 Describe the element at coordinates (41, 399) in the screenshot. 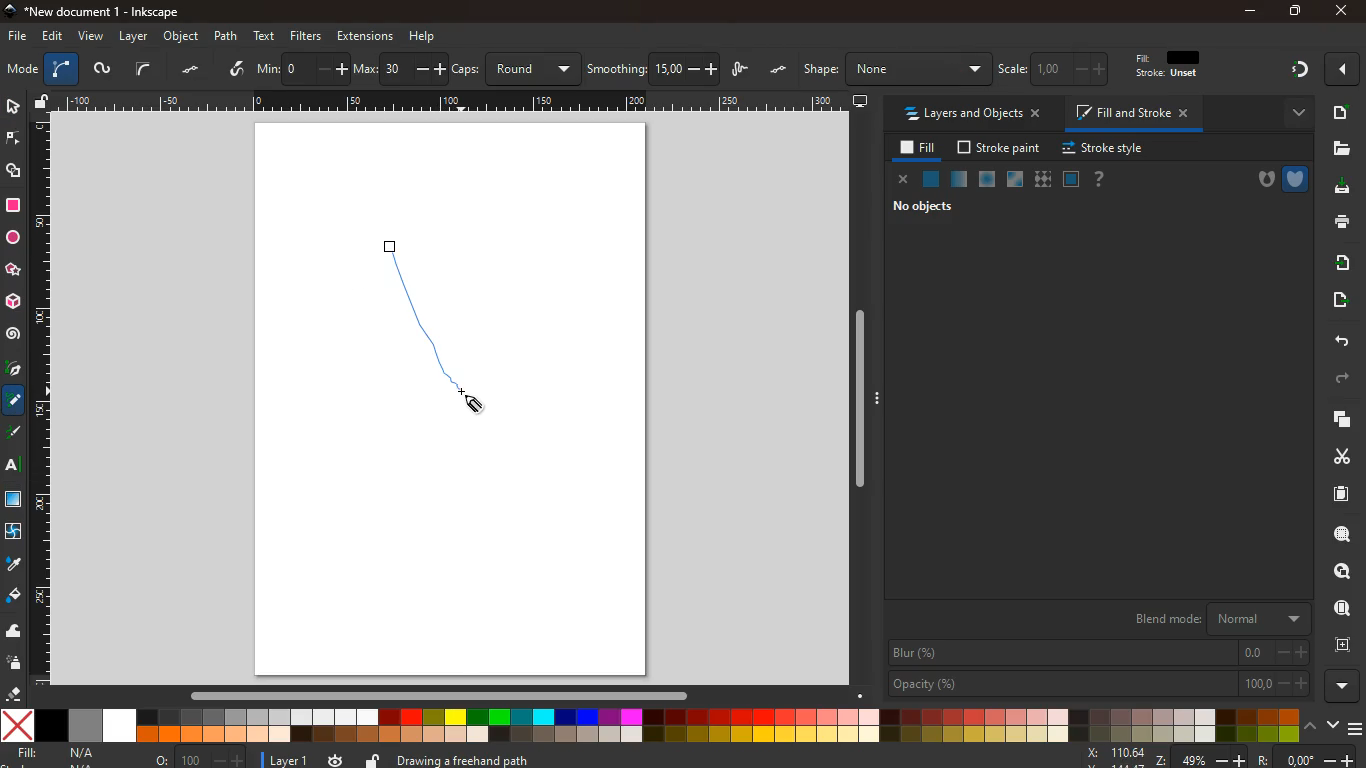

I see `Scale` at that location.